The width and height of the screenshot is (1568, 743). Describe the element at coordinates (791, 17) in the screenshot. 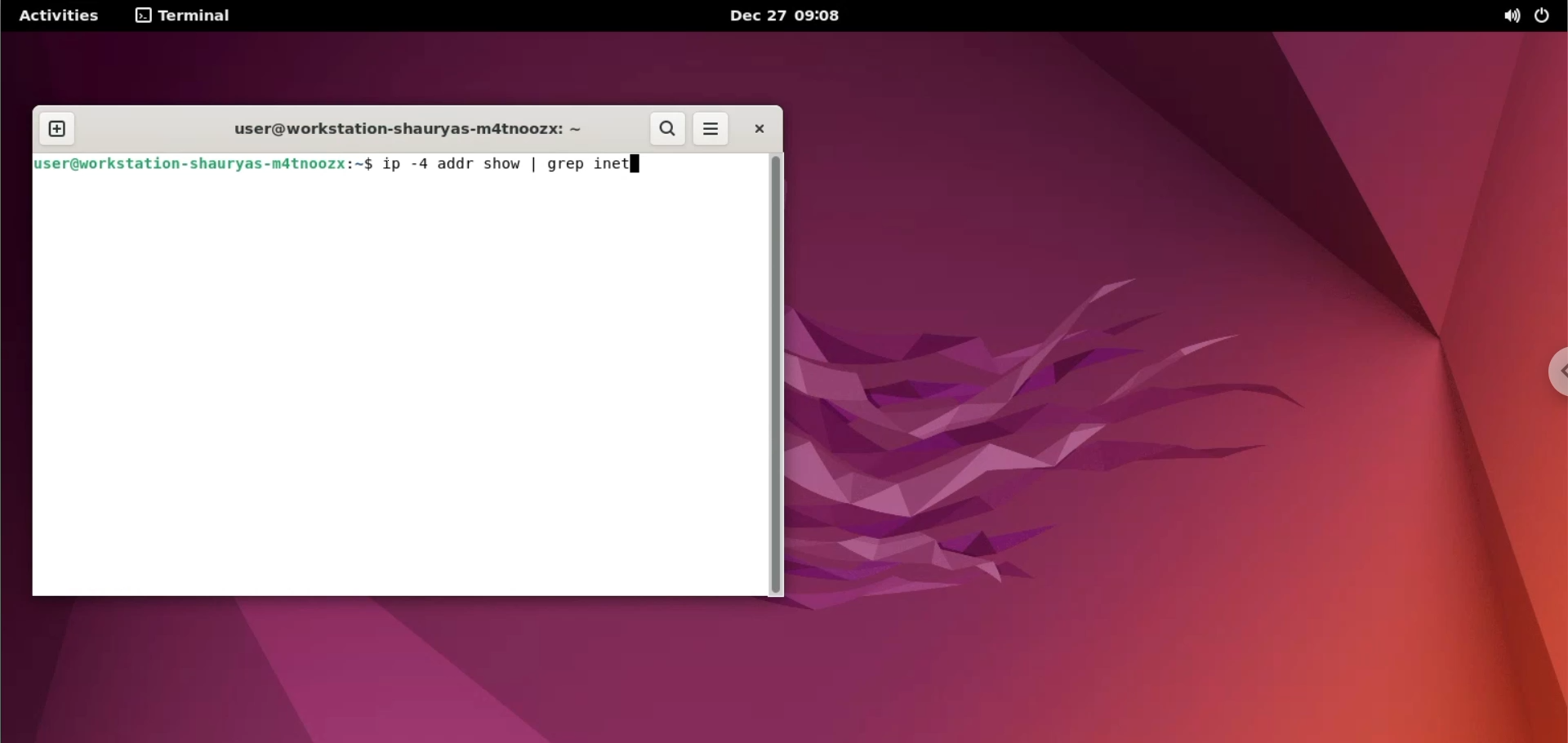

I see `Dec 27 09:07` at that location.